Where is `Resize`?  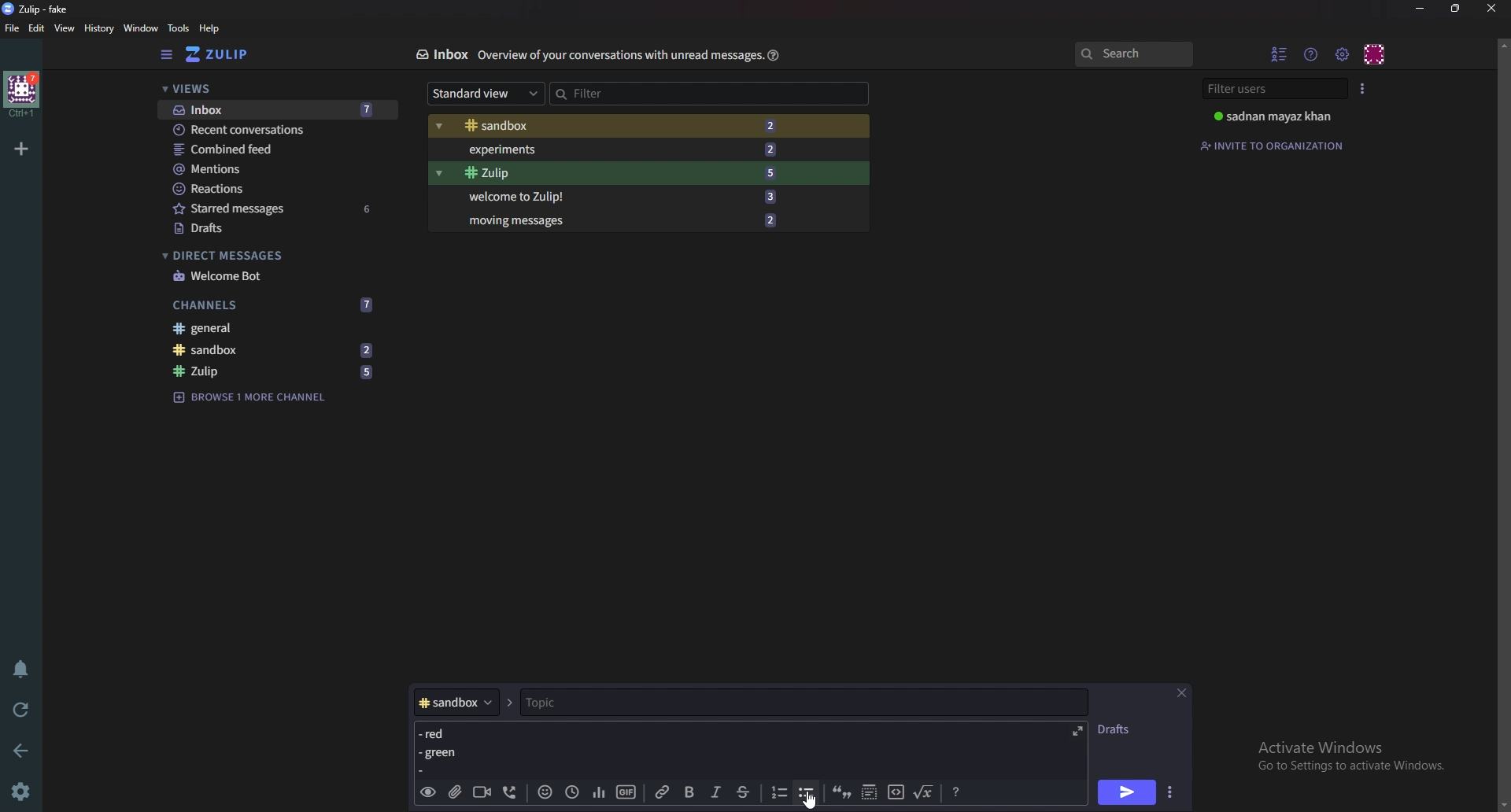
Resize is located at coordinates (1458, 8).